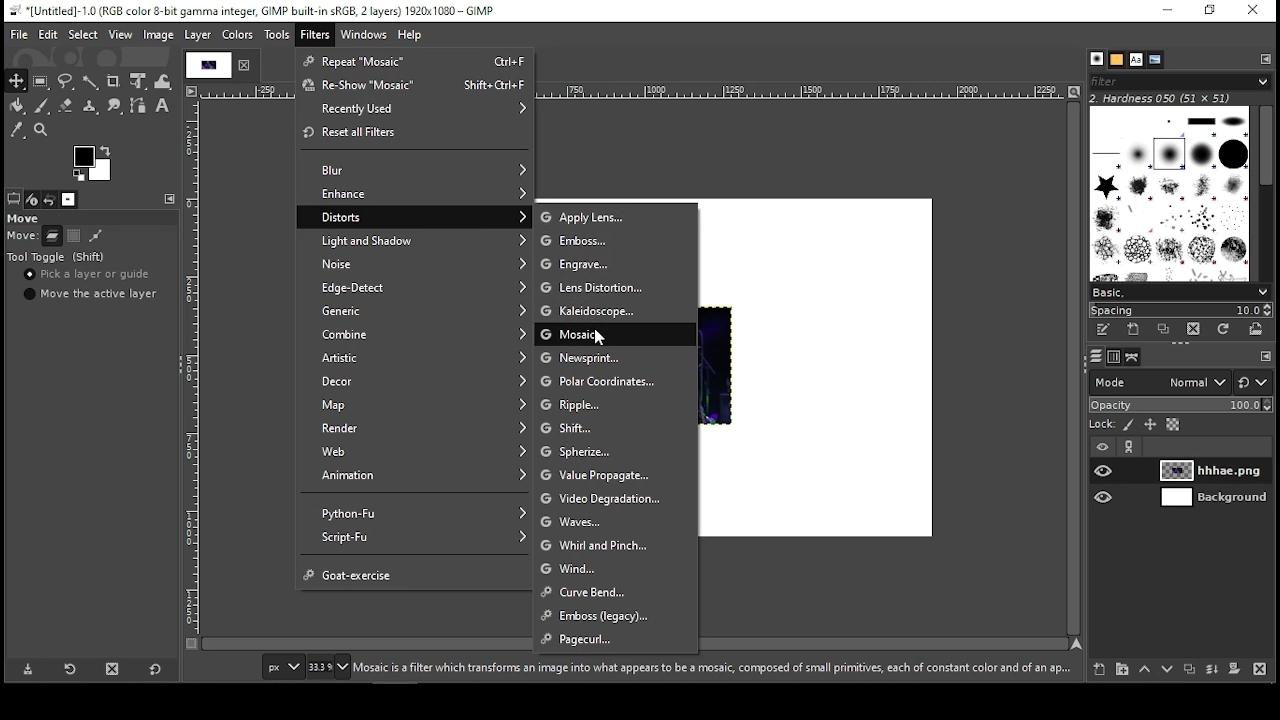 Image resolution: width=1280 pixels, height=720 pixels. I want to click on delete brush, so click(1192, 330).